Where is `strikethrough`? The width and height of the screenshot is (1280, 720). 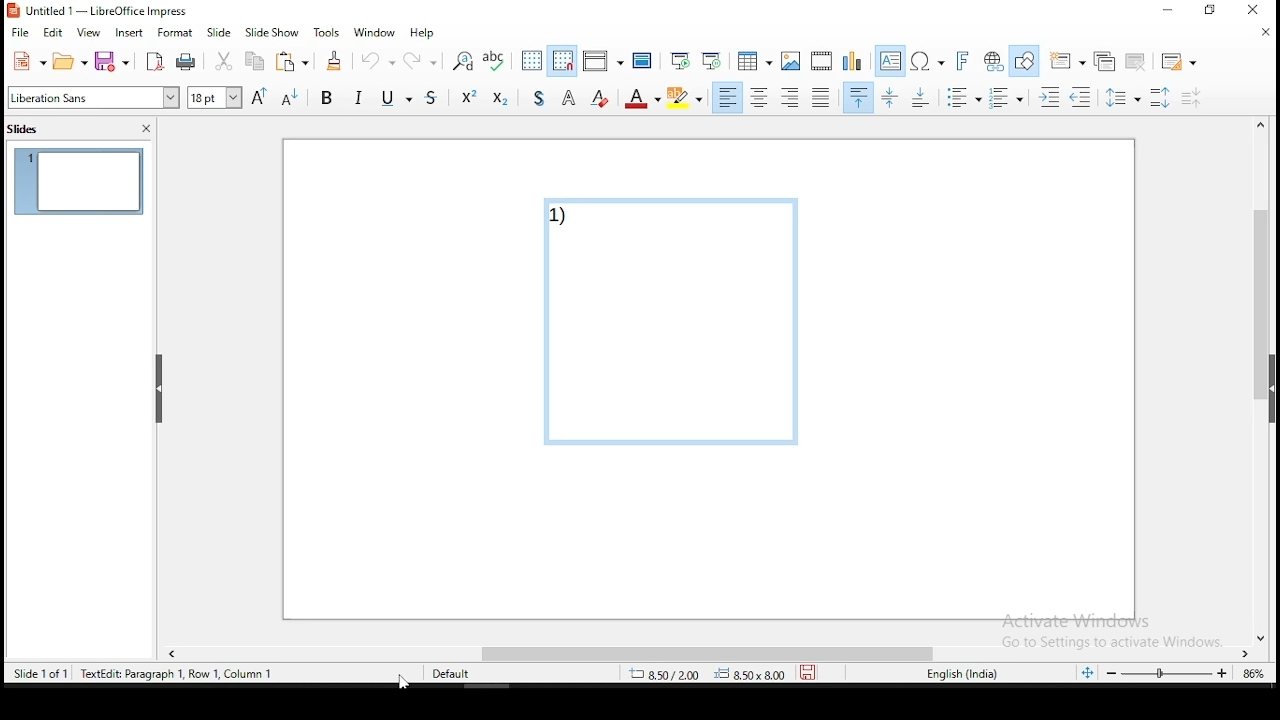
strikethrough is located at coordinates (421, 99).